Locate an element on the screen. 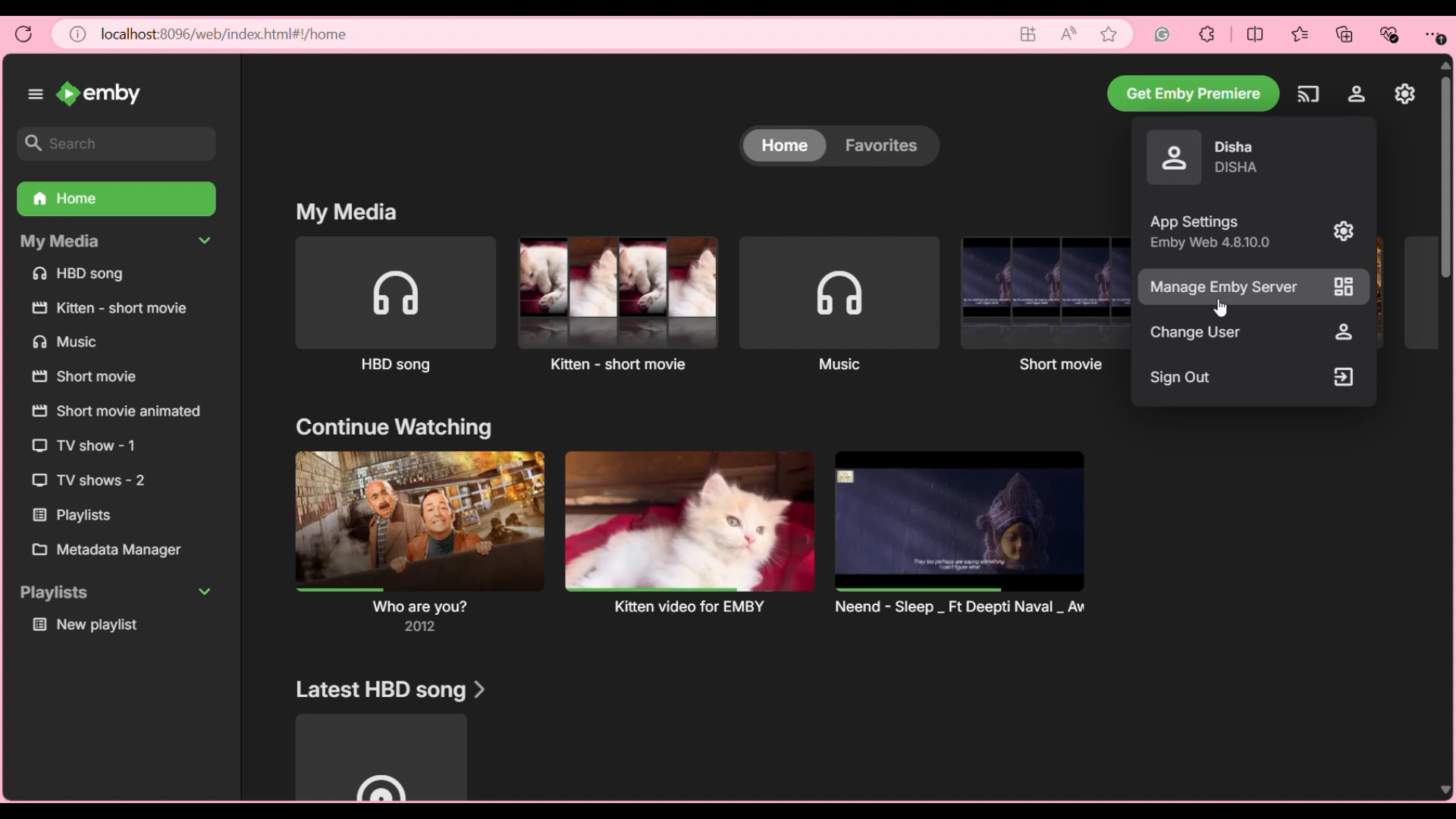  kitten-short movie is located at coordinates (113, 310).